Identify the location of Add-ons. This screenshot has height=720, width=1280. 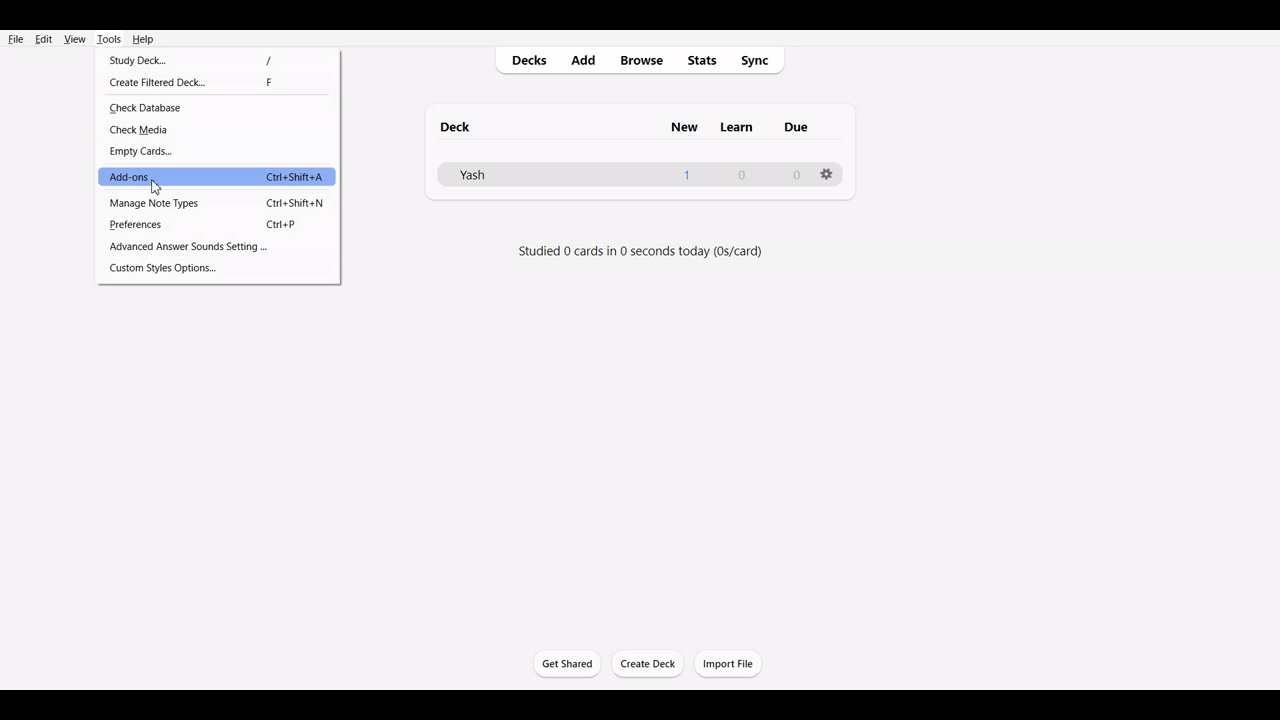
(218, 179).